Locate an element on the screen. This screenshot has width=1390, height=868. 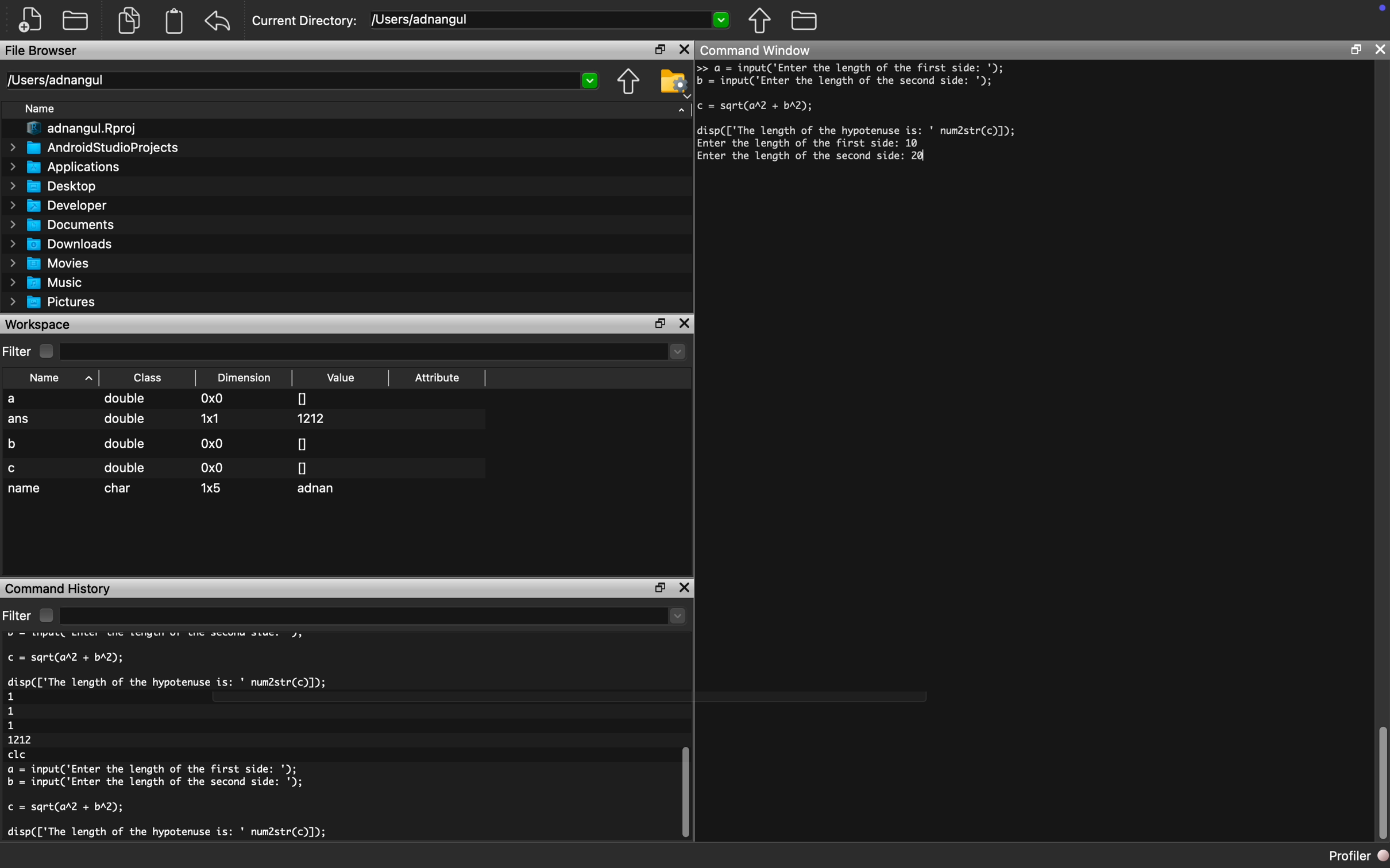
c = sqrt(arl + bA2);

disp(['The length of the hypotenuse is: ' num2str(c)]);
clc

a = input('Enter the length of the first side: ');

b = input('Enter the length of the second side: ');

c = sqrt(ar2 + bA2);

disp(['The length of the hypotenuse is: ' num2str(c)]);
1

1

1

1212

clc is located at coordinates (192, 739).